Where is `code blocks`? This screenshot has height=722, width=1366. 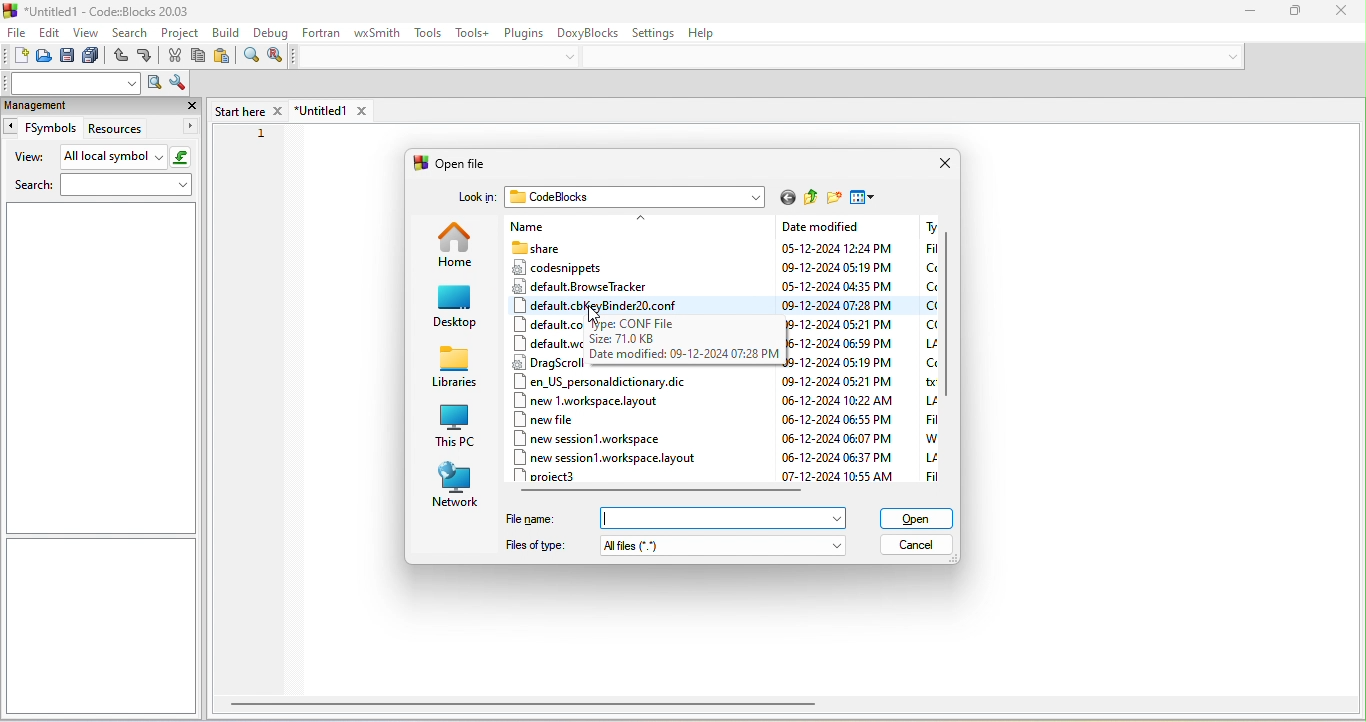 code blocks is located at coordinates (636, 198).